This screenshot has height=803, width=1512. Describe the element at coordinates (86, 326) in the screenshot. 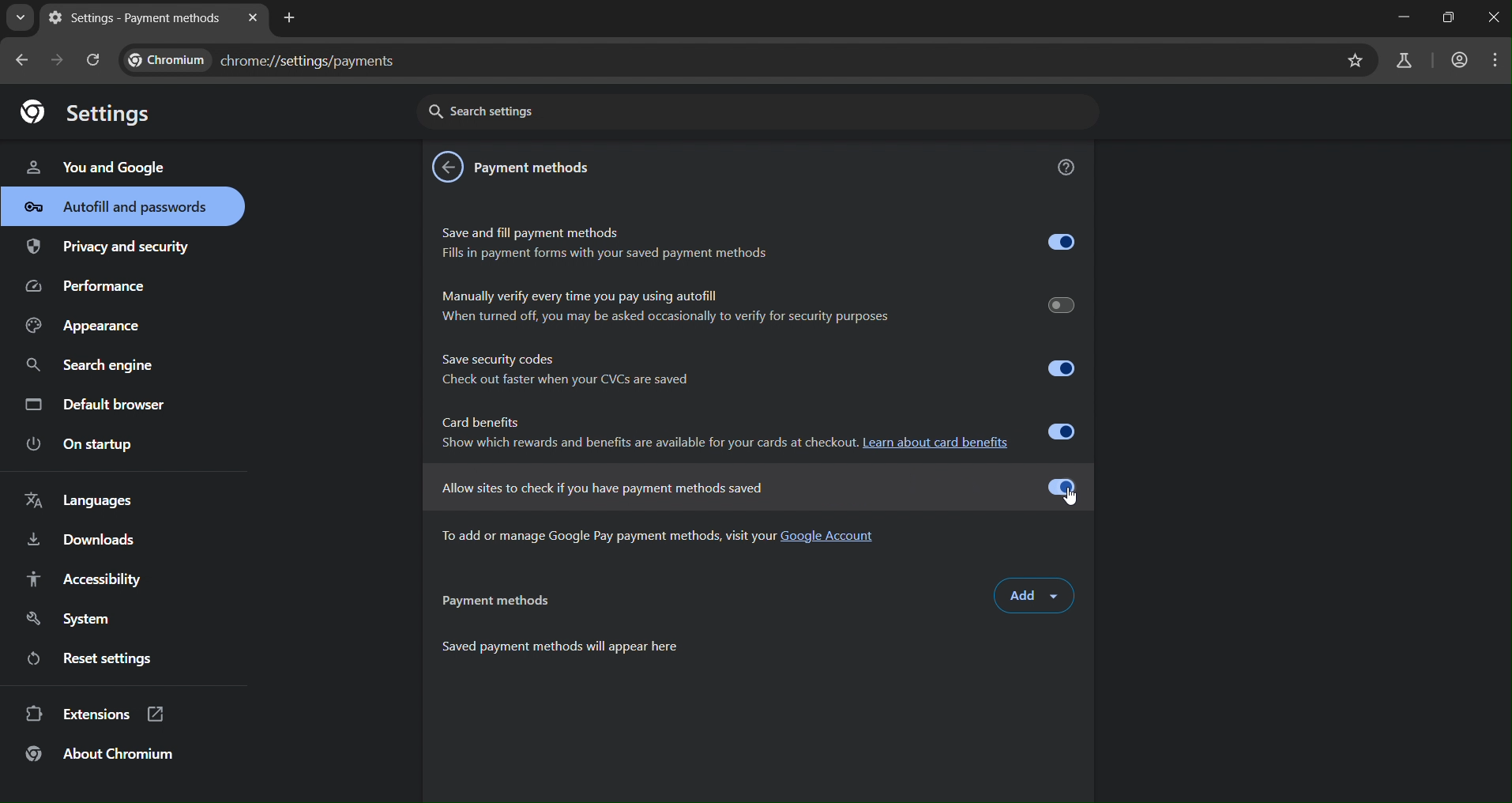

I see `appearance` at that location.